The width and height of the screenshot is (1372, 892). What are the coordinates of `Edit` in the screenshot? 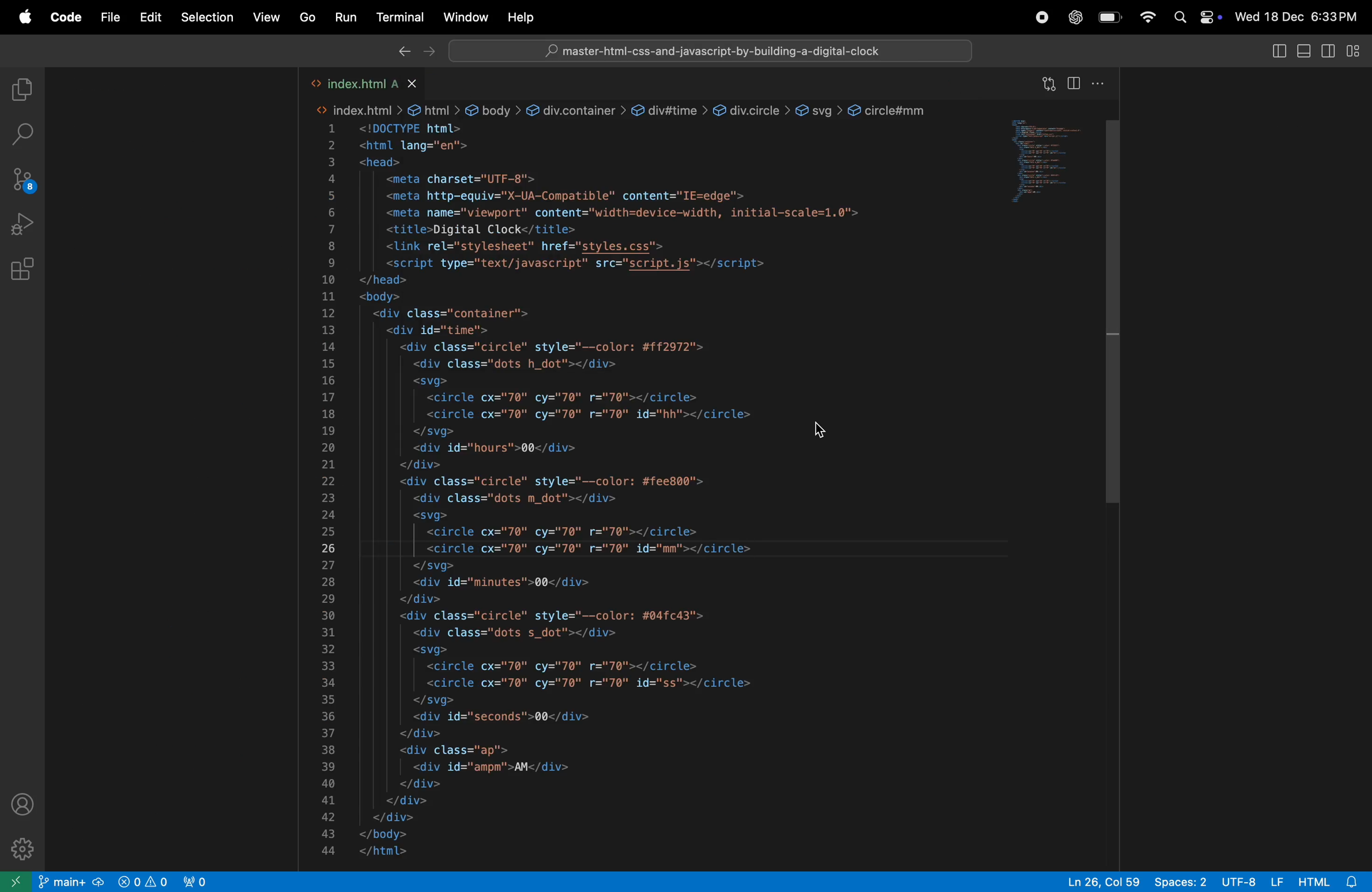 It's located at (150, 17).